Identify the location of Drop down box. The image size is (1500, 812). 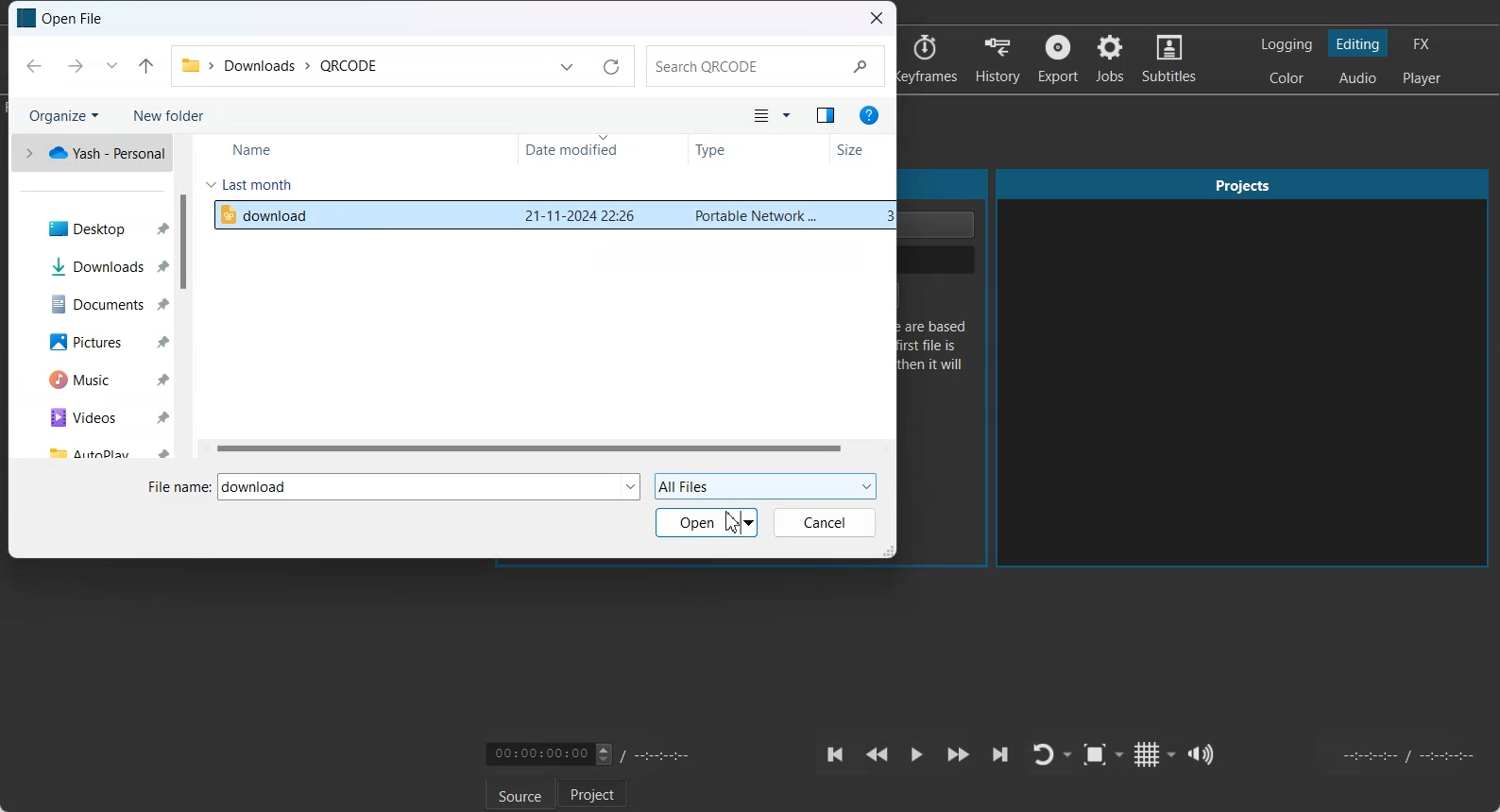
(1123, 753).